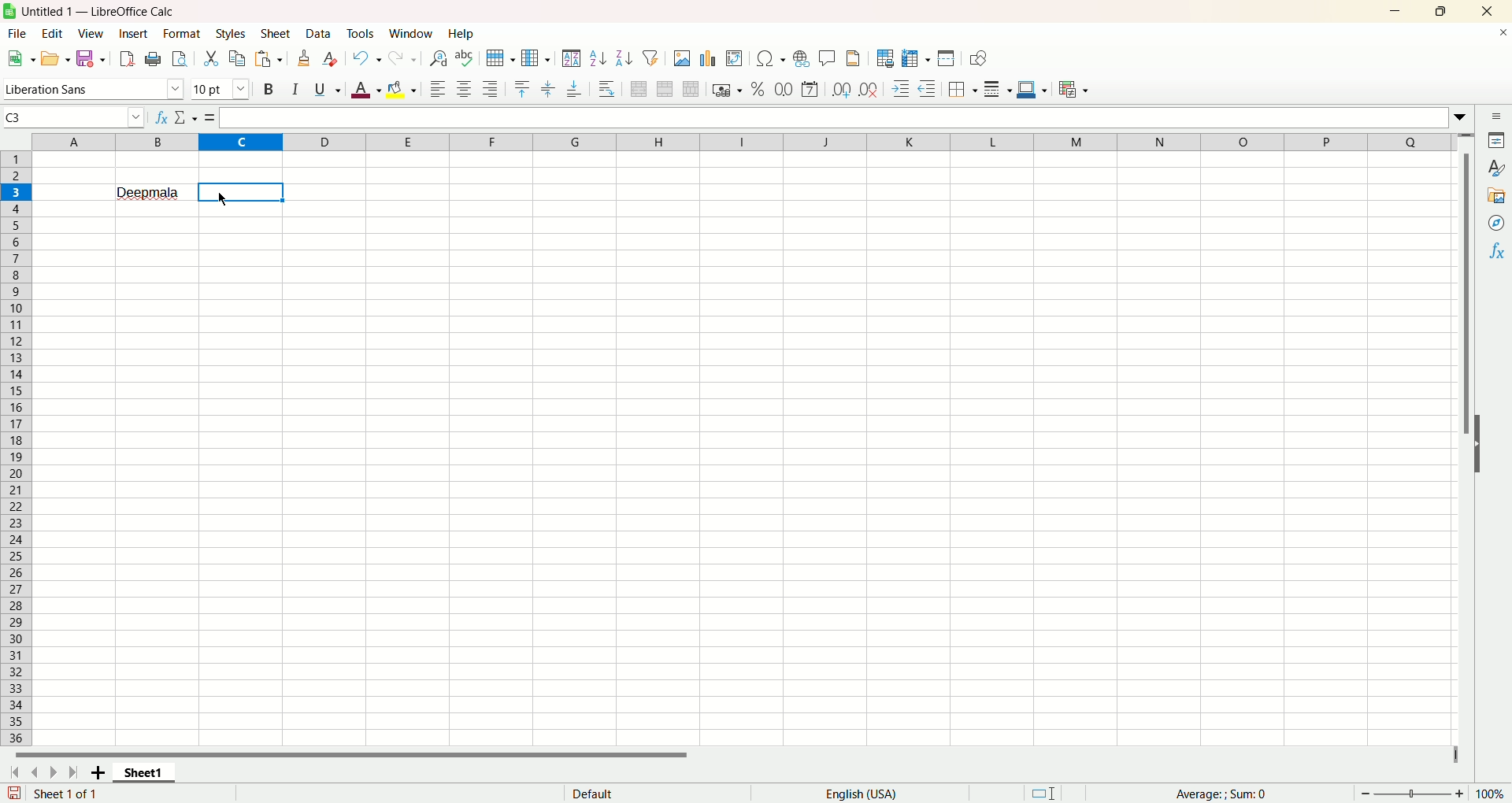 The image size is (1512, 803). Describe the element at coordinates (598, 58) in the screenshot. I see `Sort ascending` at that location.